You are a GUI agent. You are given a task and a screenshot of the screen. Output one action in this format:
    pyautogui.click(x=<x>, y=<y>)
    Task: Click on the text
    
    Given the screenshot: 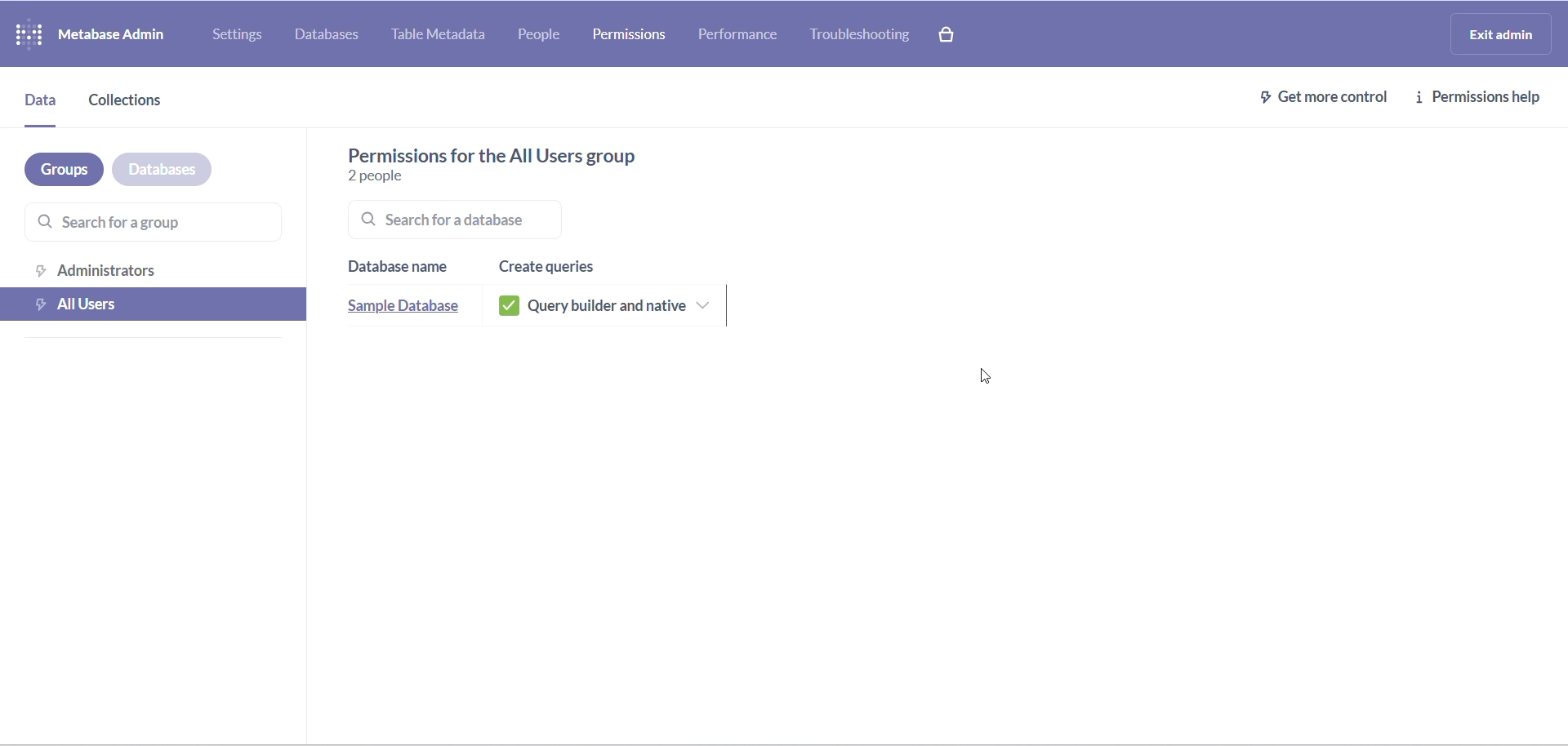 What is the action you would take?
    pyautogui.click(x=550, y=154)
    